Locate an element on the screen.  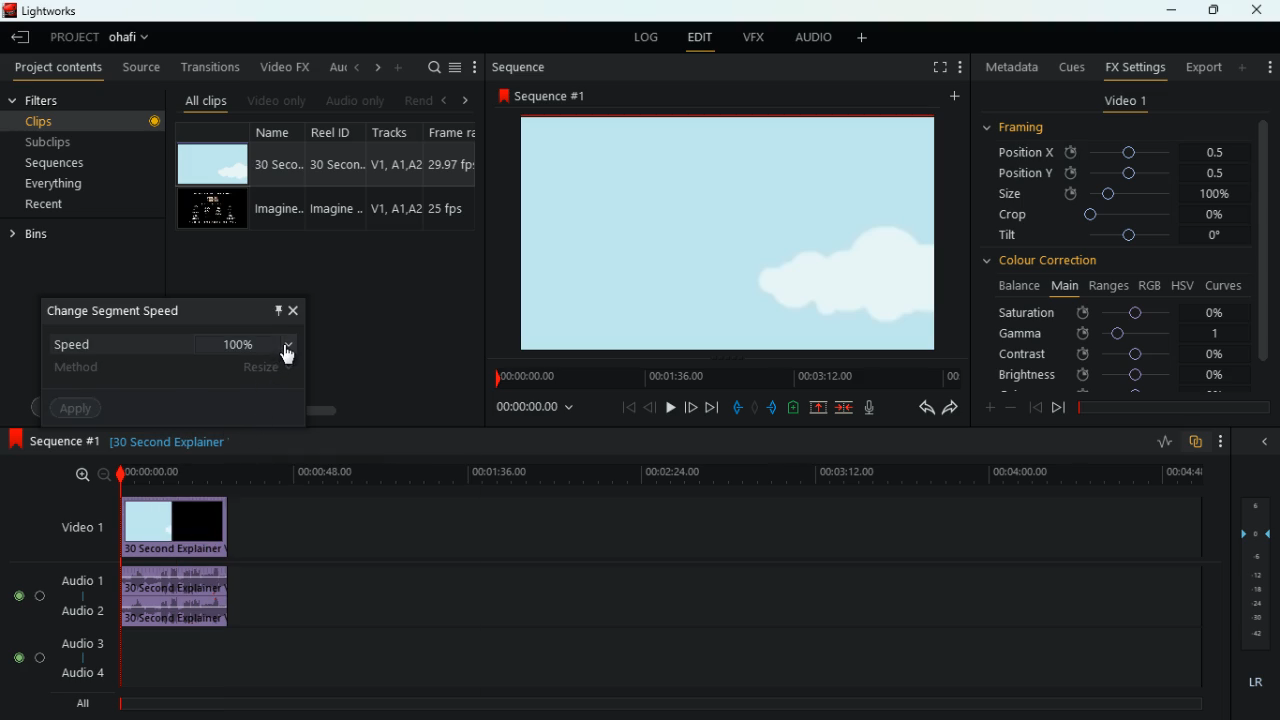
more is located at coordinates (1244, 67).